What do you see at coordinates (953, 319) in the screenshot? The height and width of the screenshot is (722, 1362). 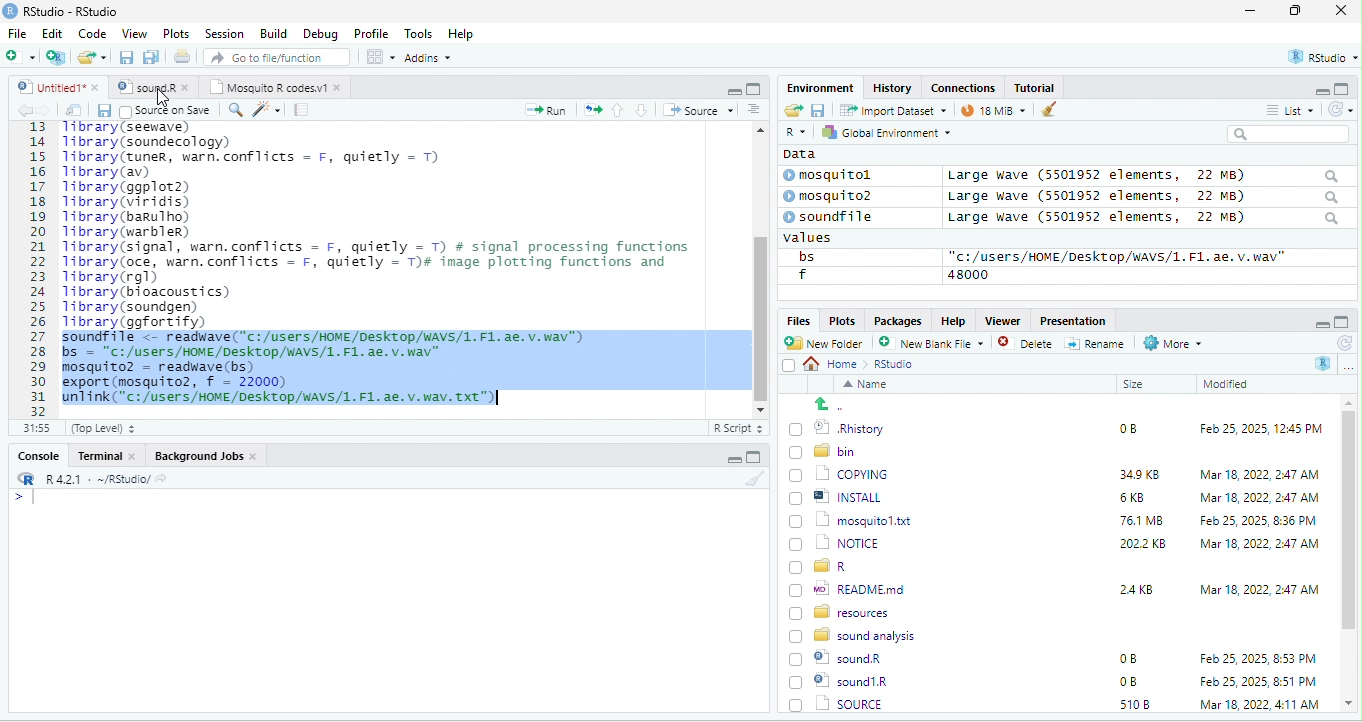 I see `Help` at bounding box center [953, 319].